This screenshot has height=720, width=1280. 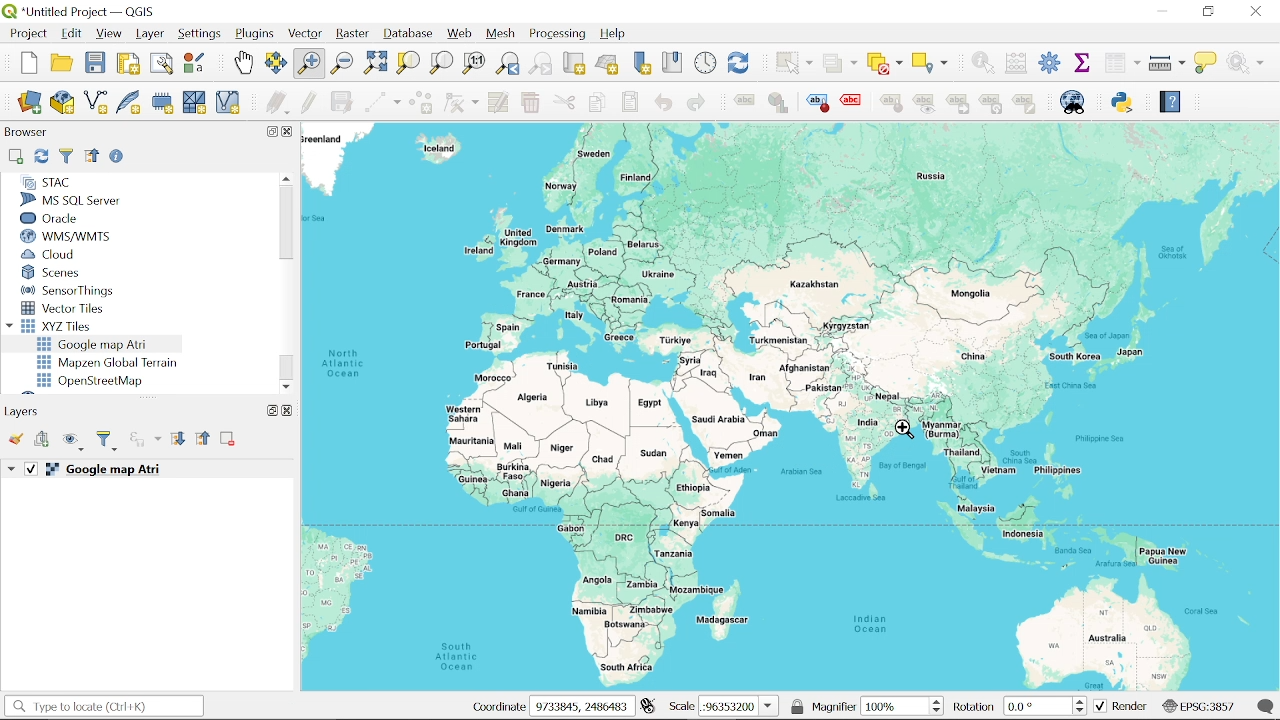 What do you see at coordinates (460, 34) in the screenshot?
I see `Web` at bounding box center [460, 34].